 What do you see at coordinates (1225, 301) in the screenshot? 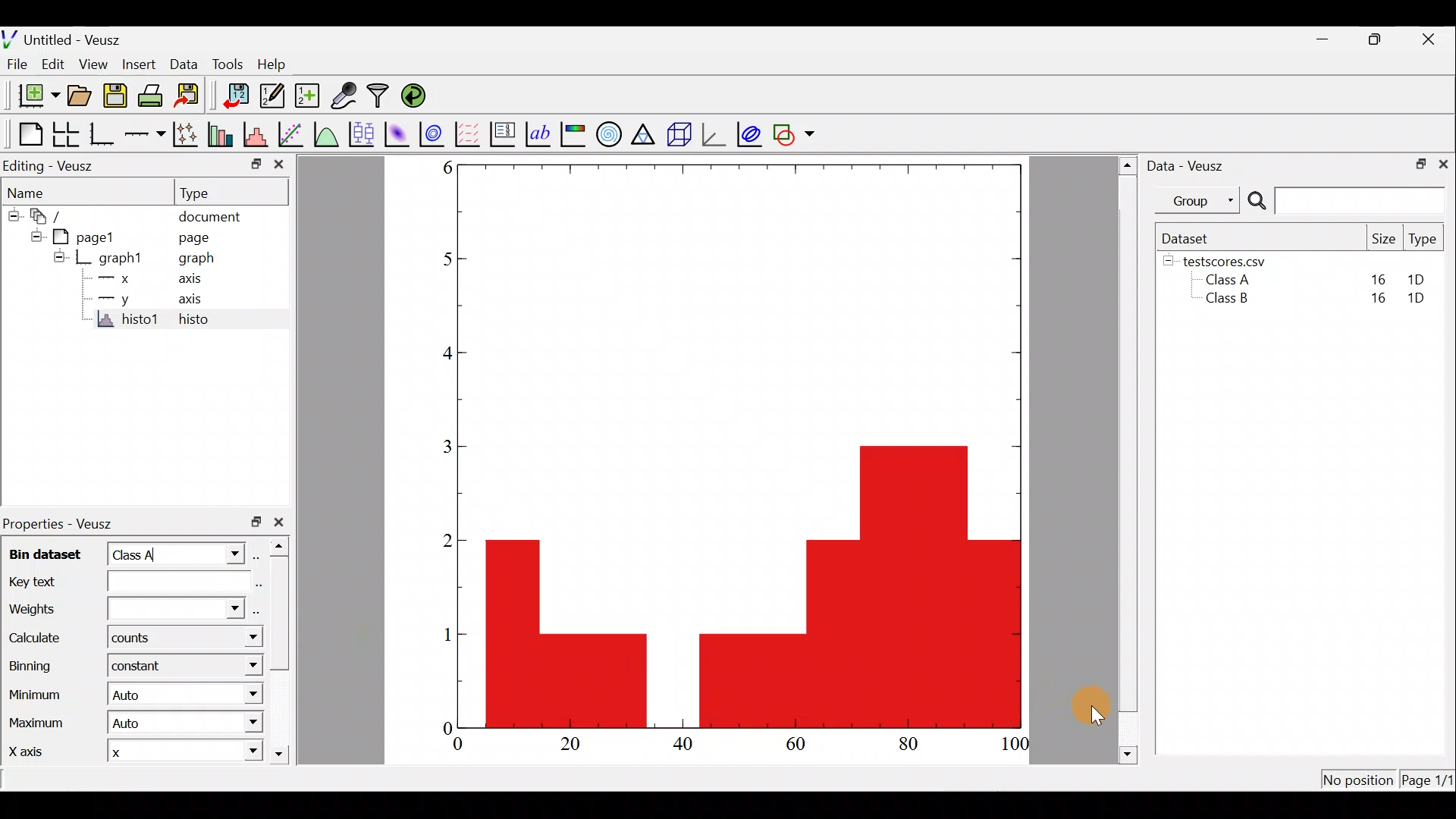
I see `Class B` at bounding box center [1225, 301].